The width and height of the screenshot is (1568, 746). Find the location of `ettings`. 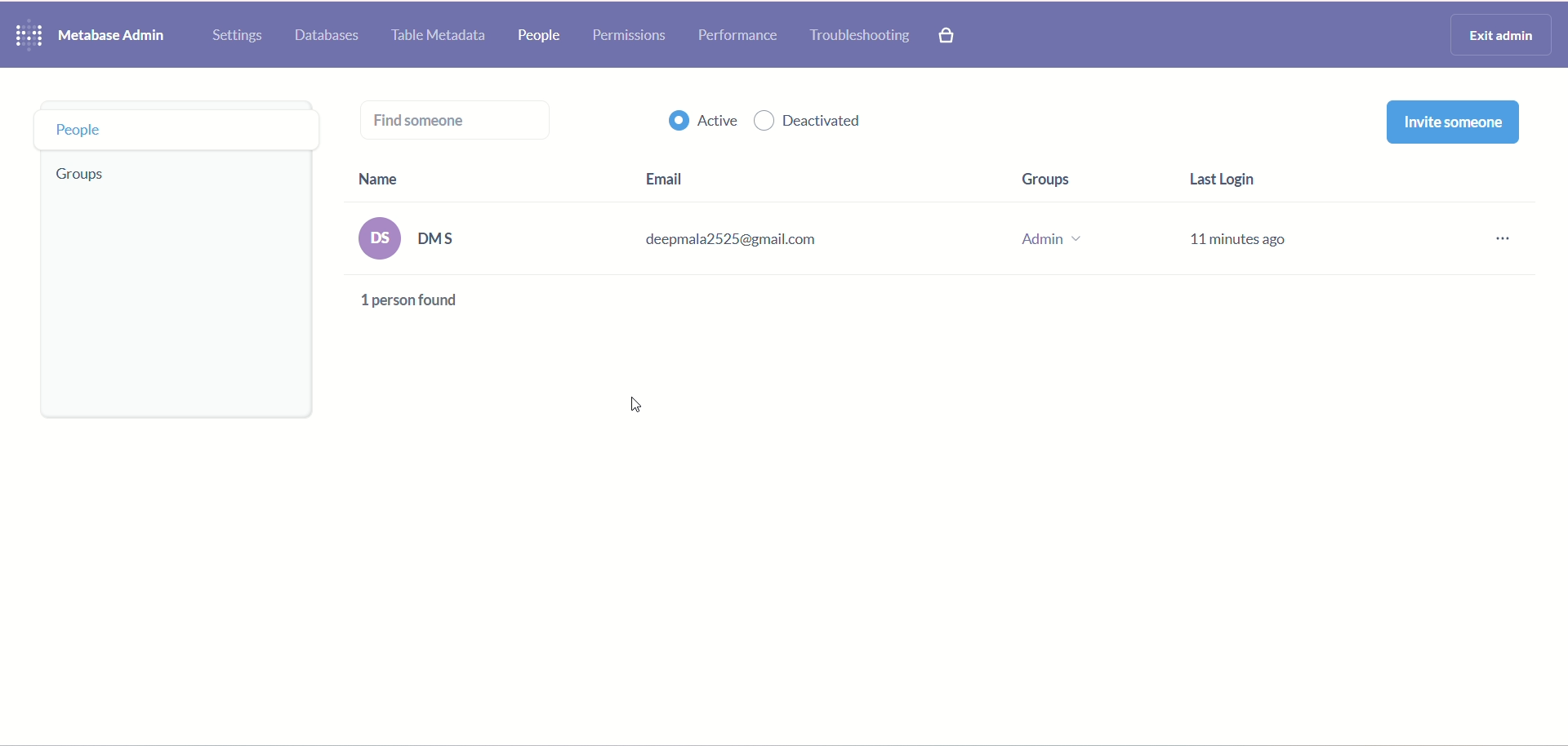

ettings is located at coordinates (239, 36).